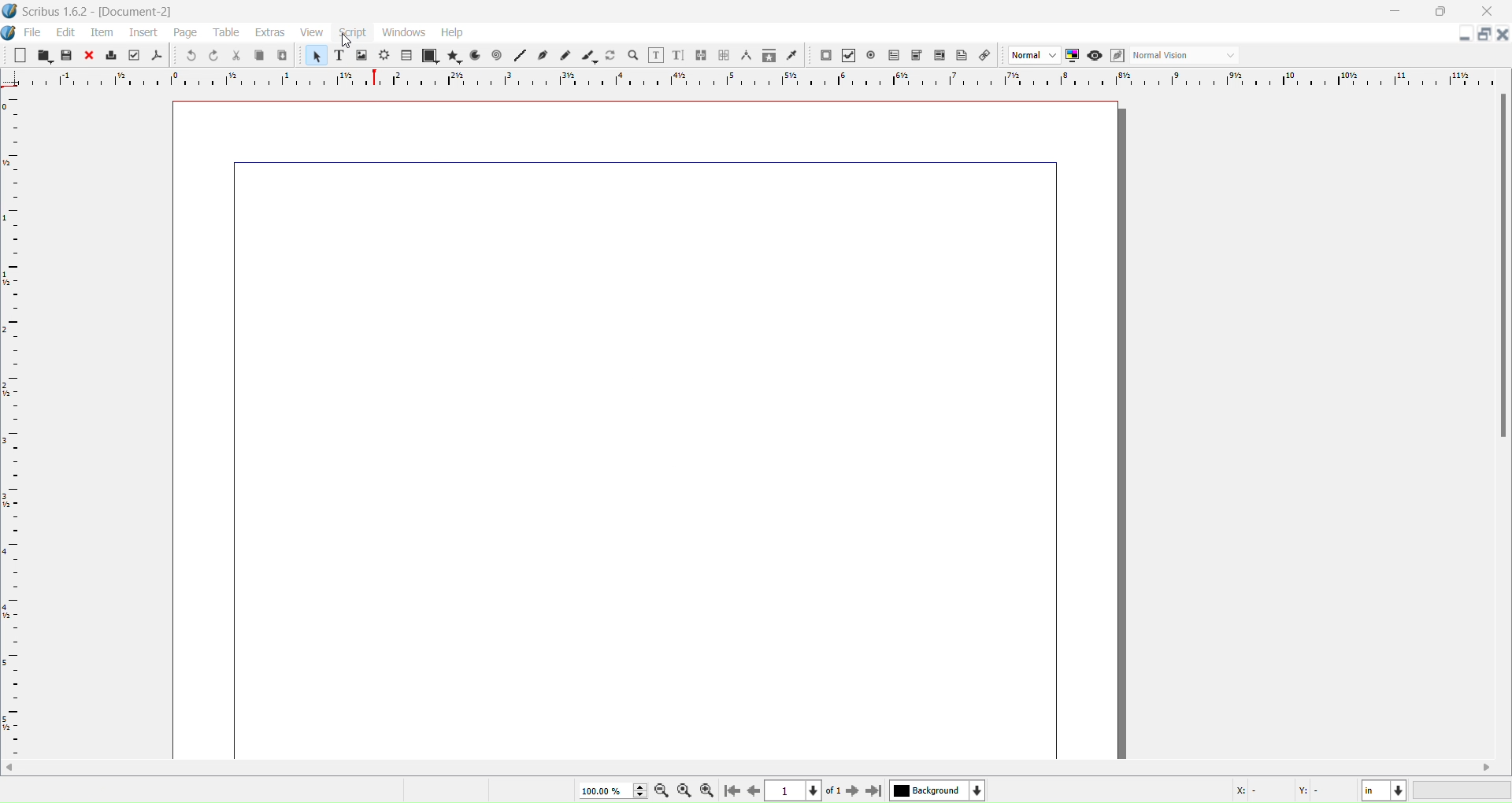  What do you see at coordinates (700, 56) in the screenshot?
I see `Link Text Frames` at bounding box center [700, 56].